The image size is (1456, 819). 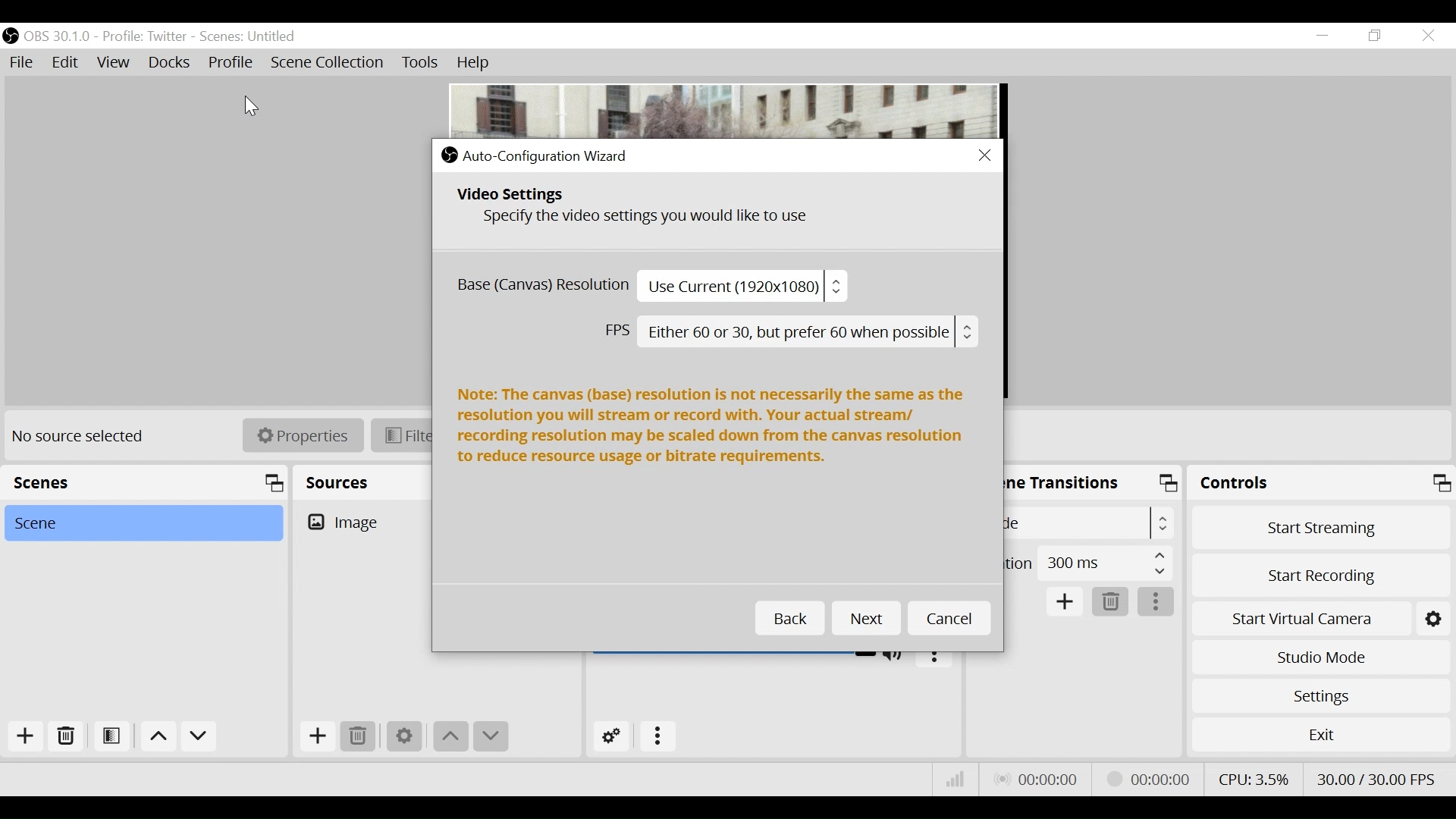 What do you see at coordinates (1111, 601) in the screenshot?
I see `Delete` at bounding box center [1111, 601].